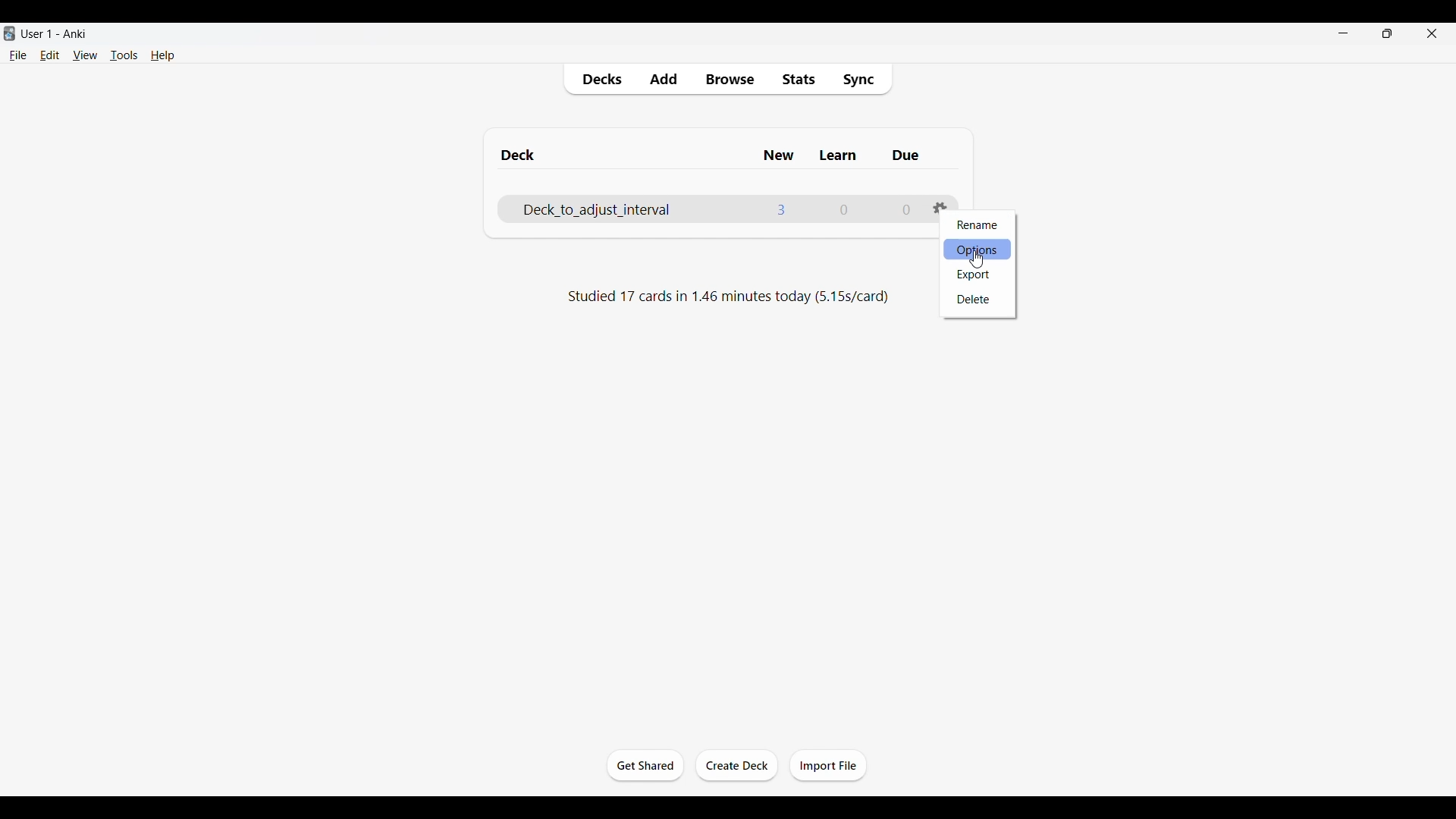  What do you see at coordinates (736, 765) in the screenshot?
I see `Create deck` at bounding box center [736, 765].